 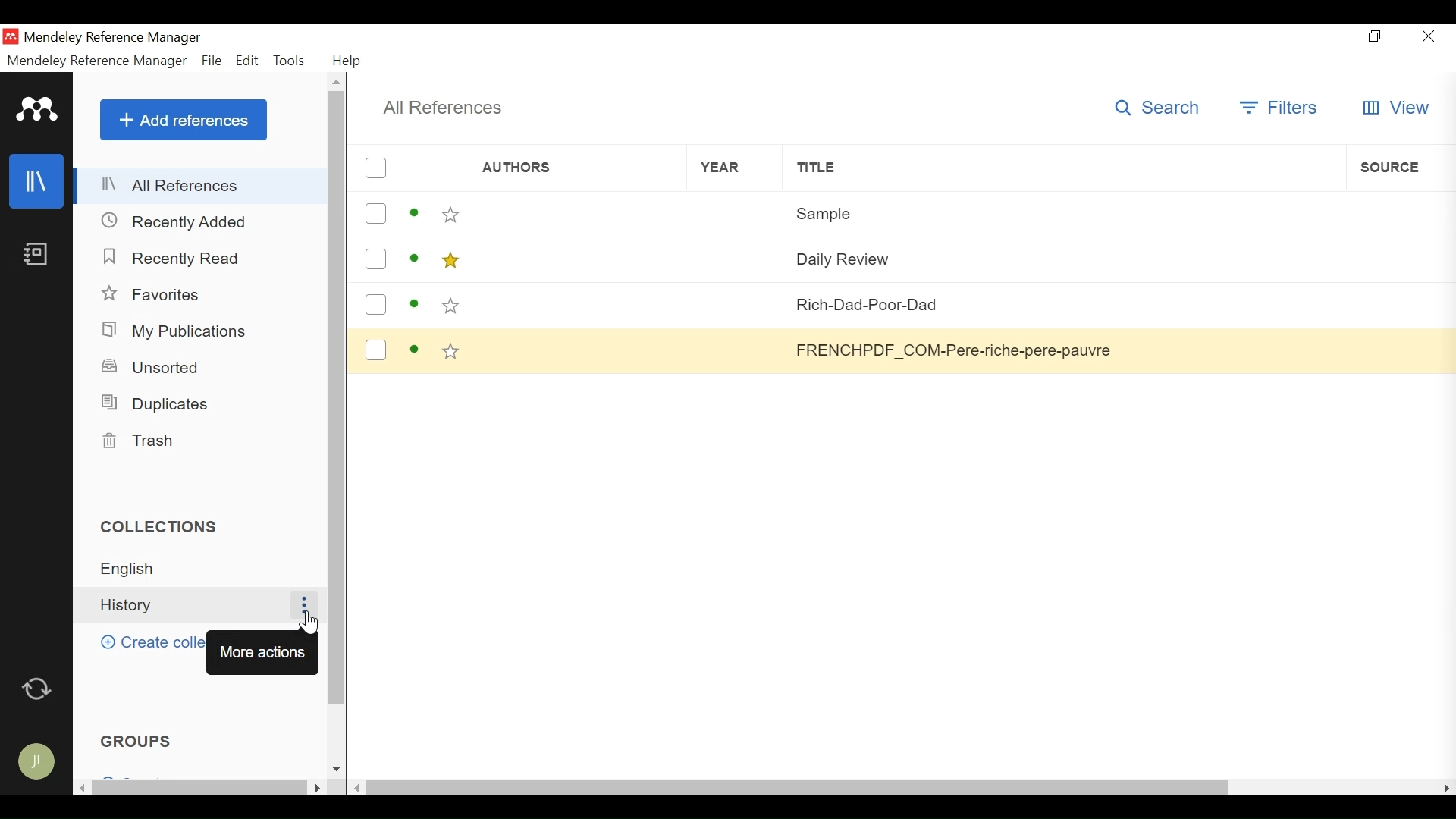 I want to click on Cursor, so click(x=306, y=623).